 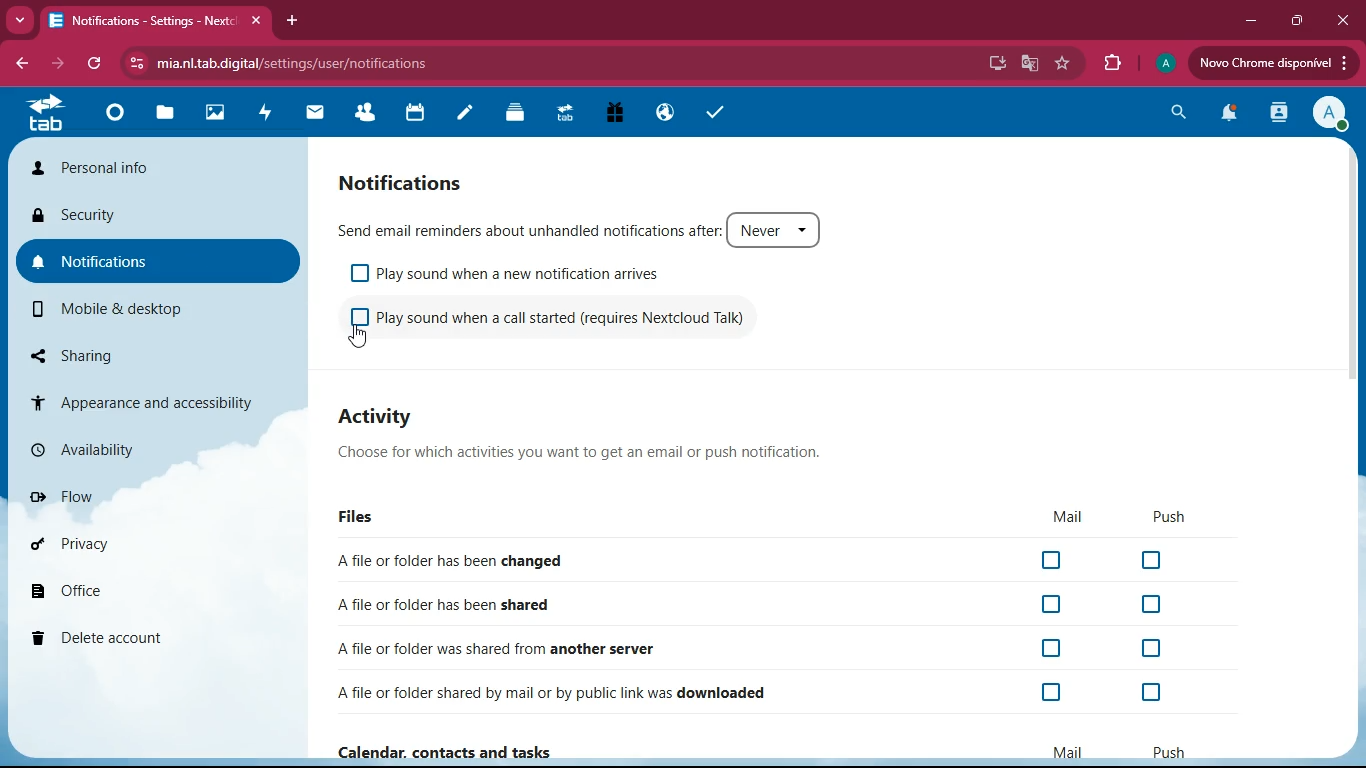 What do you see at coordinates (465, 113) in the screenshot?
I see `notes` at bounding box center [465, 113].